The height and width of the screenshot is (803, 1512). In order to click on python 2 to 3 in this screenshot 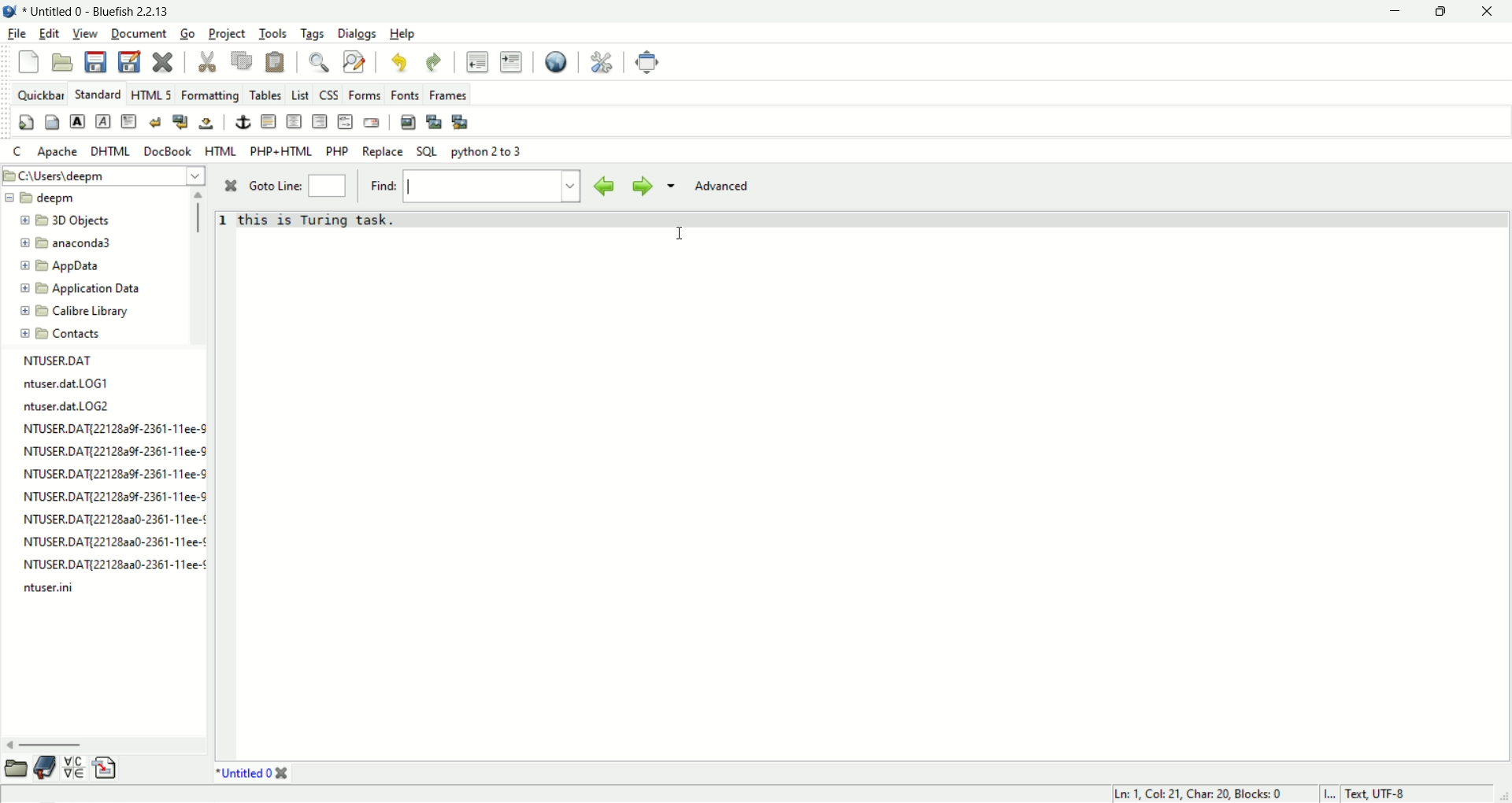, I will do `click(489, 152)`.